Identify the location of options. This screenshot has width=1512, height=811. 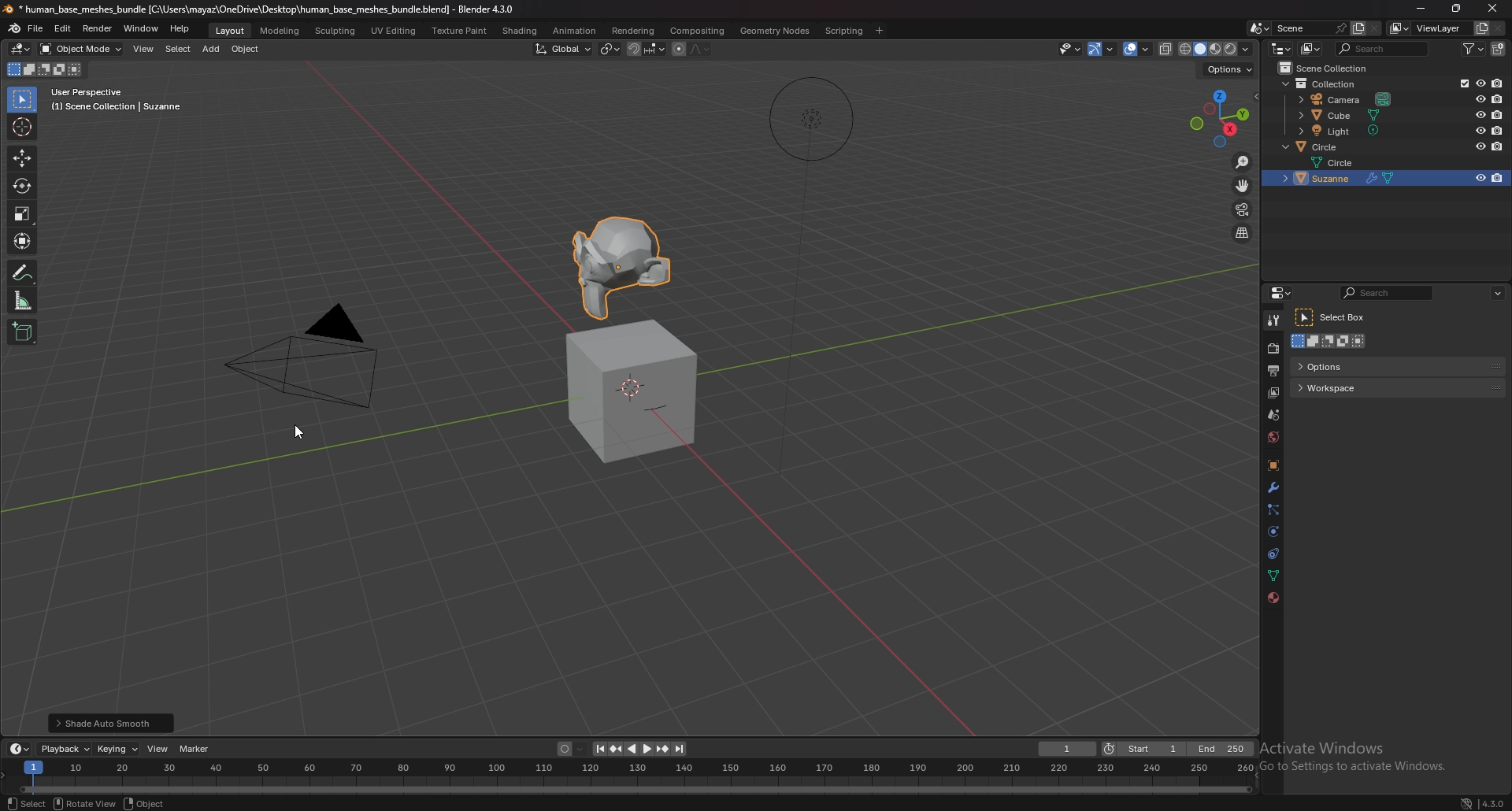
(1230, 69).